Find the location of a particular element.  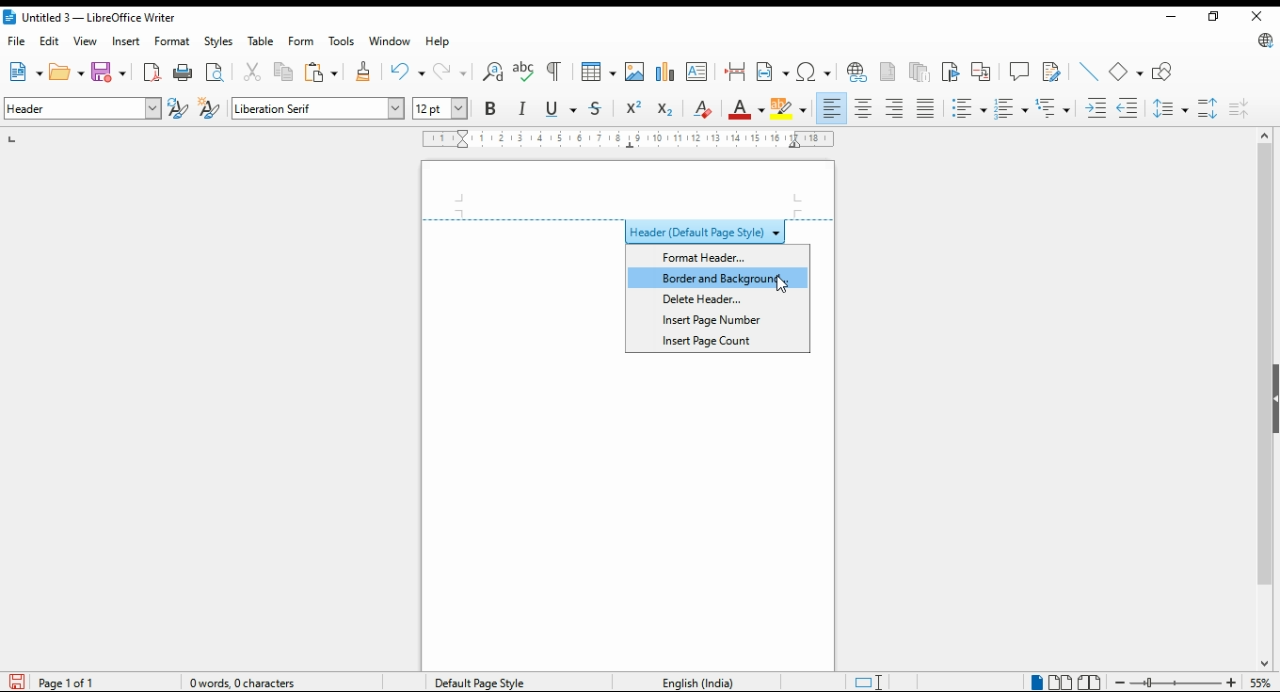

toggle cursor is located at coordinates (871, 682).